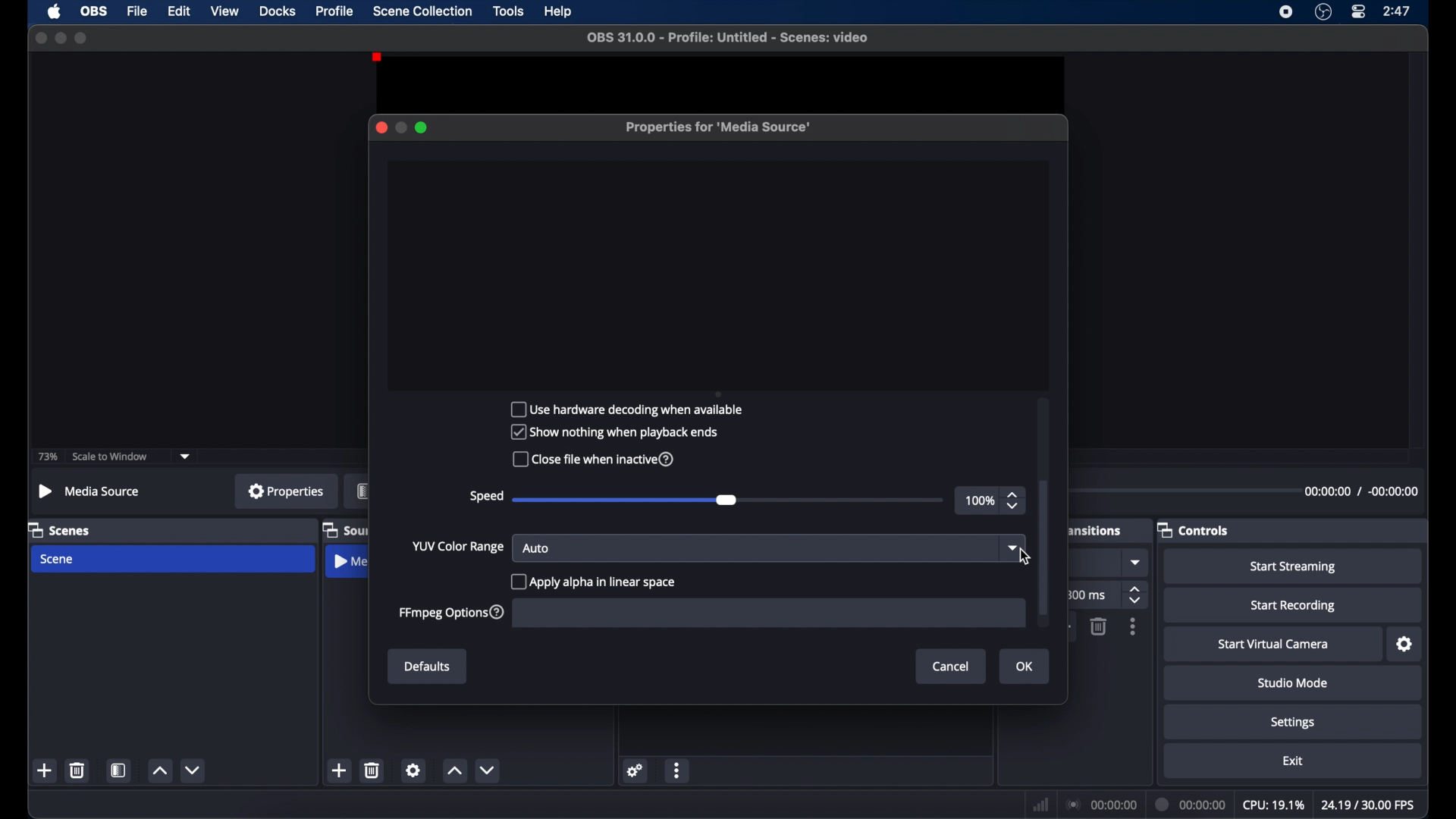 This screenshot has height=819, width=1456. I want to click on file, so click(138, 11).